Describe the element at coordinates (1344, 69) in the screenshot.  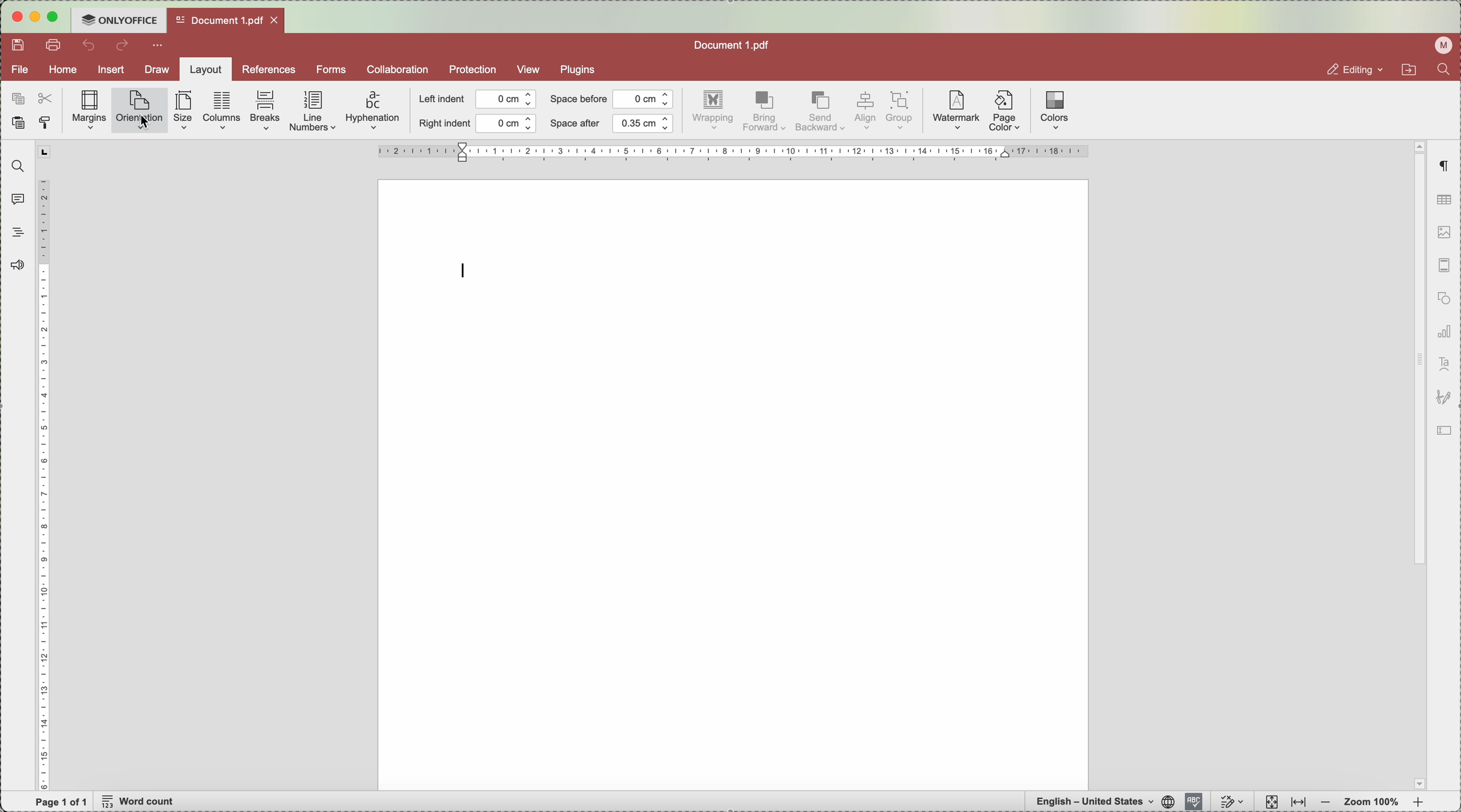
I see `editing` at that location.